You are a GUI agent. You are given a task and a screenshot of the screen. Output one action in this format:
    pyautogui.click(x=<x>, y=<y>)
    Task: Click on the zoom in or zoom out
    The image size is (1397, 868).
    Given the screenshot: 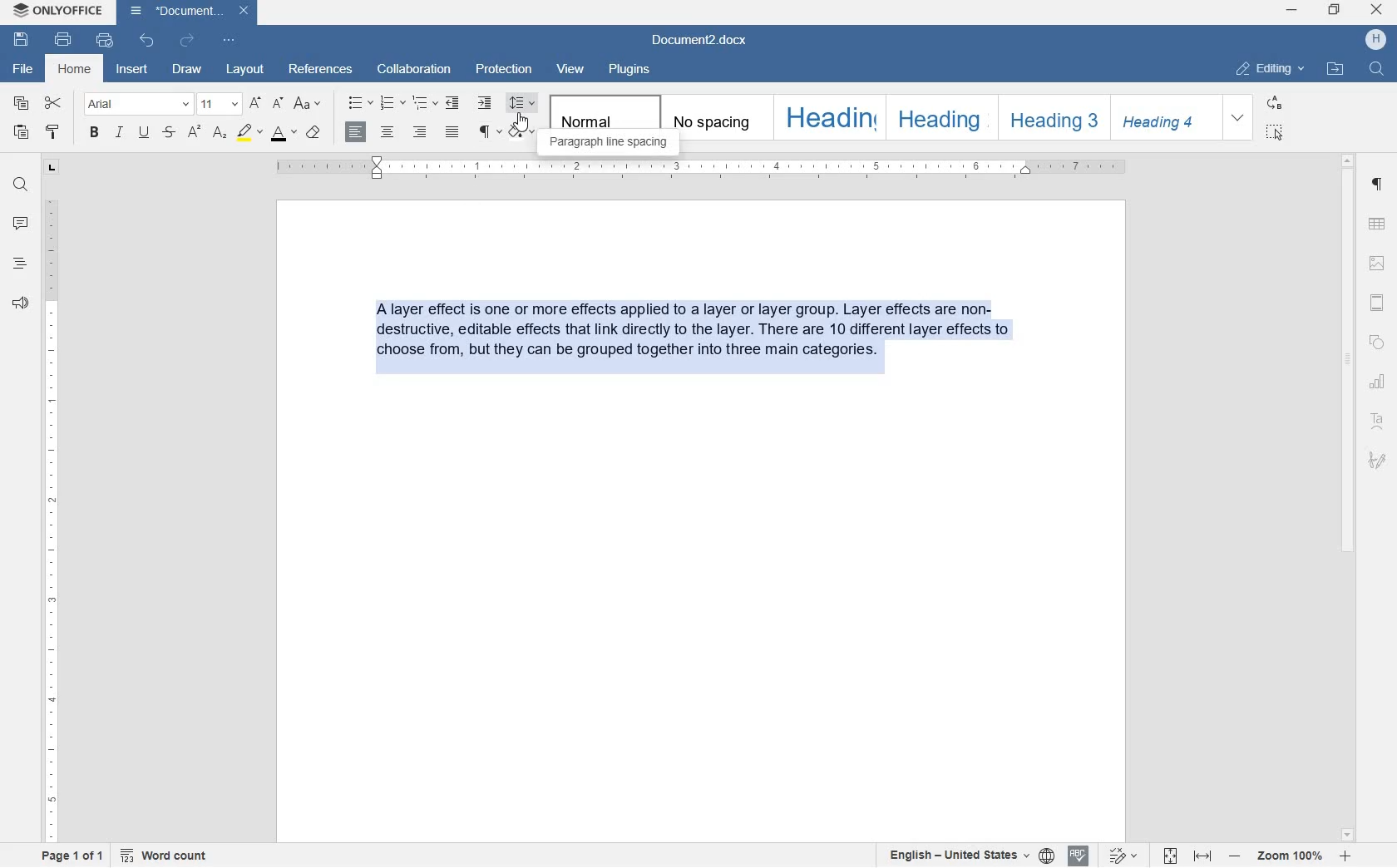 What is the action you would take?
    pyautogui.click(x=1289, y=856)
    